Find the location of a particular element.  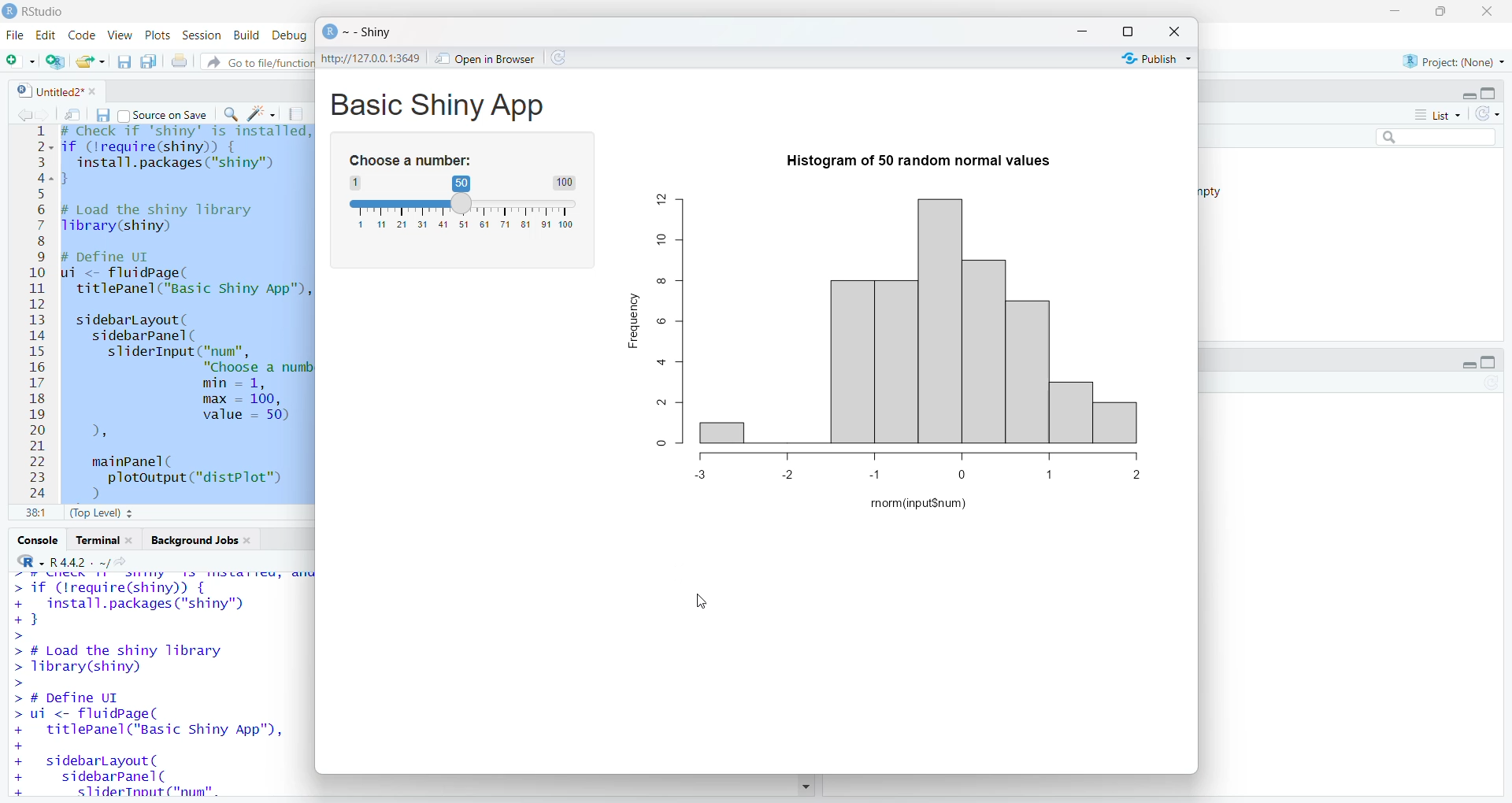

save is located at coordinates (102, 115).